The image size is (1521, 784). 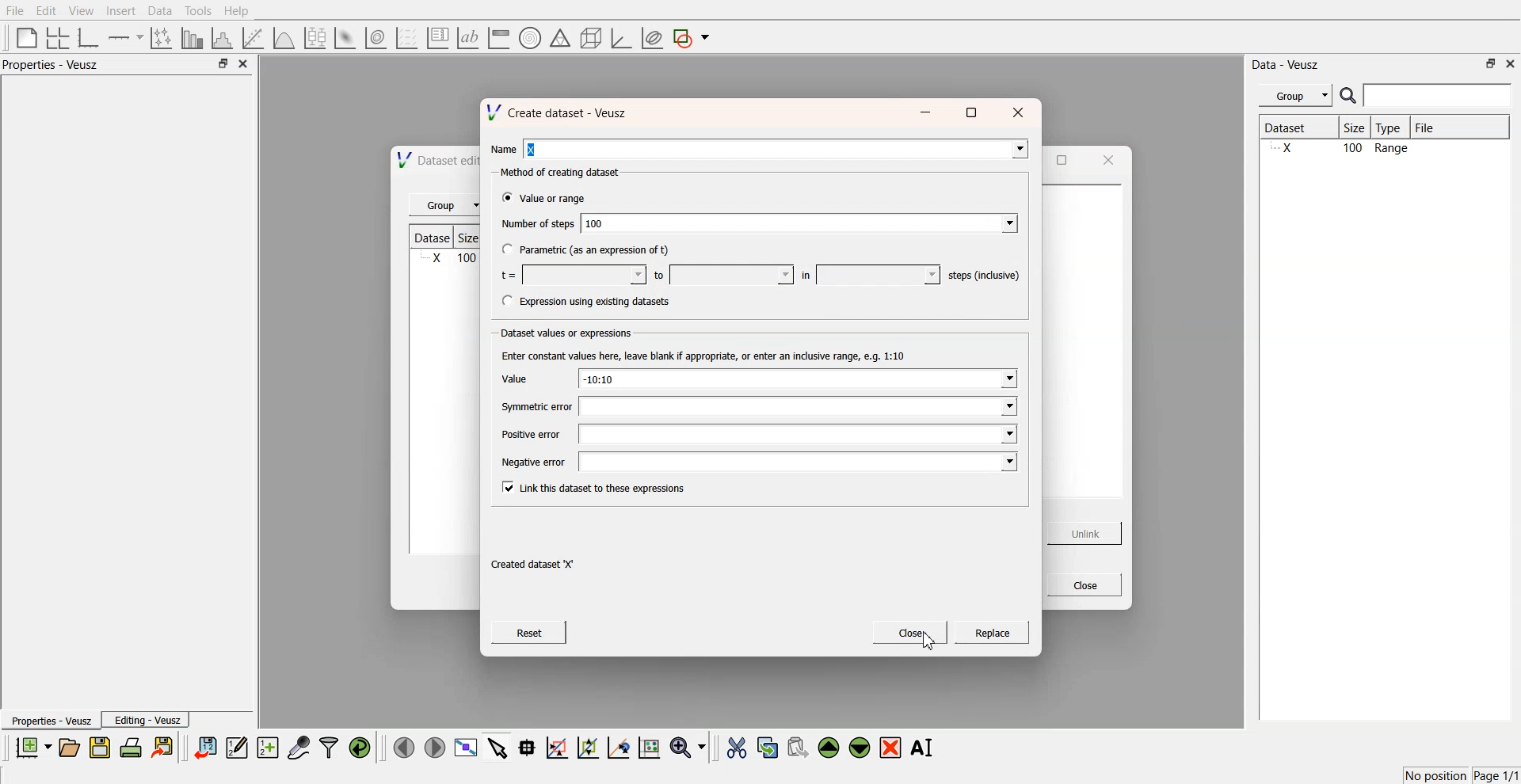 I want to click on reset the graph axes, so click(x=649, y=748).